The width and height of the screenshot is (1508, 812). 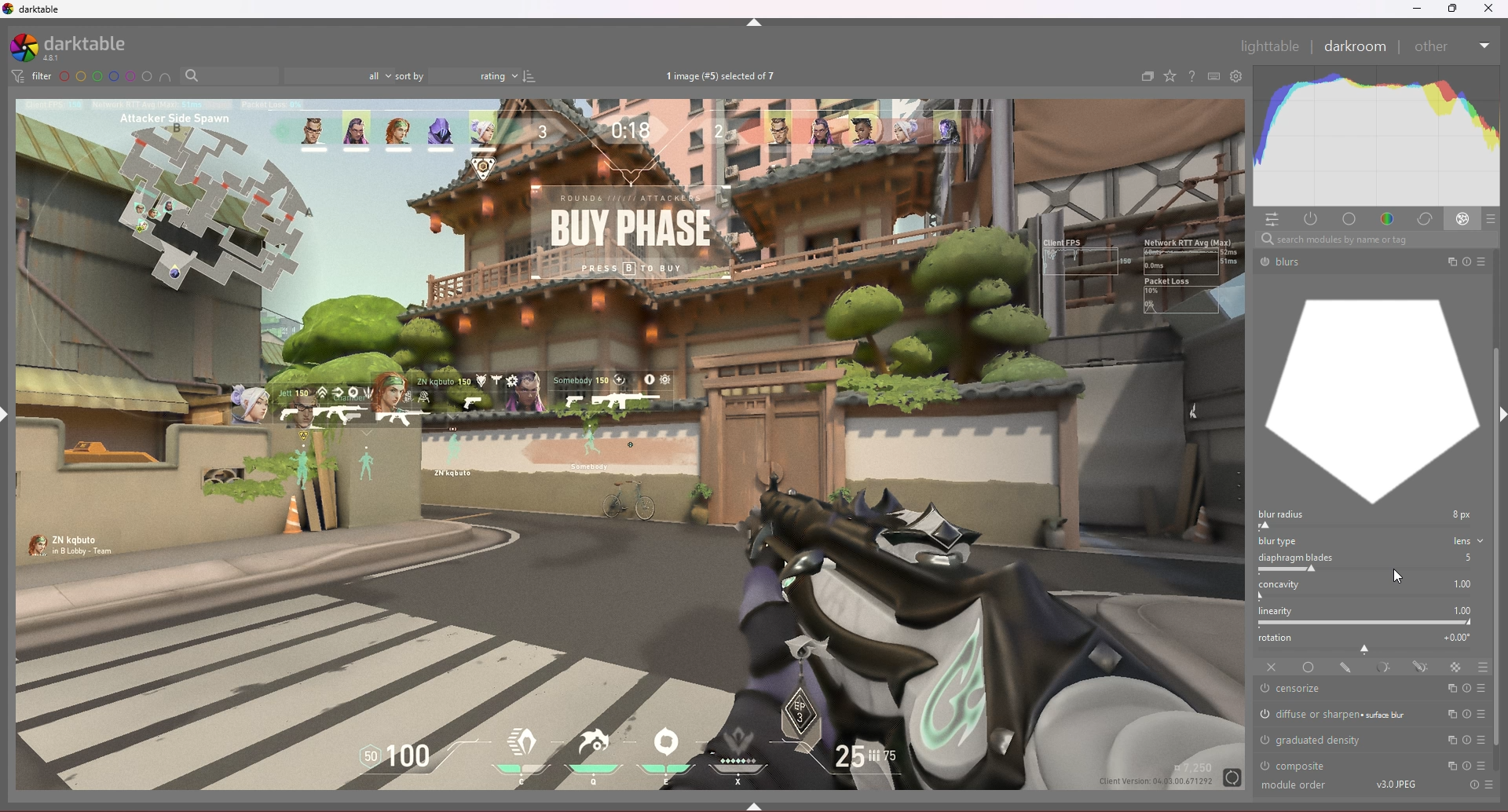 What do you see at coordinates (1372, 541) in the screenshot?
I see `blur type` at bounding box center [1372, 541].